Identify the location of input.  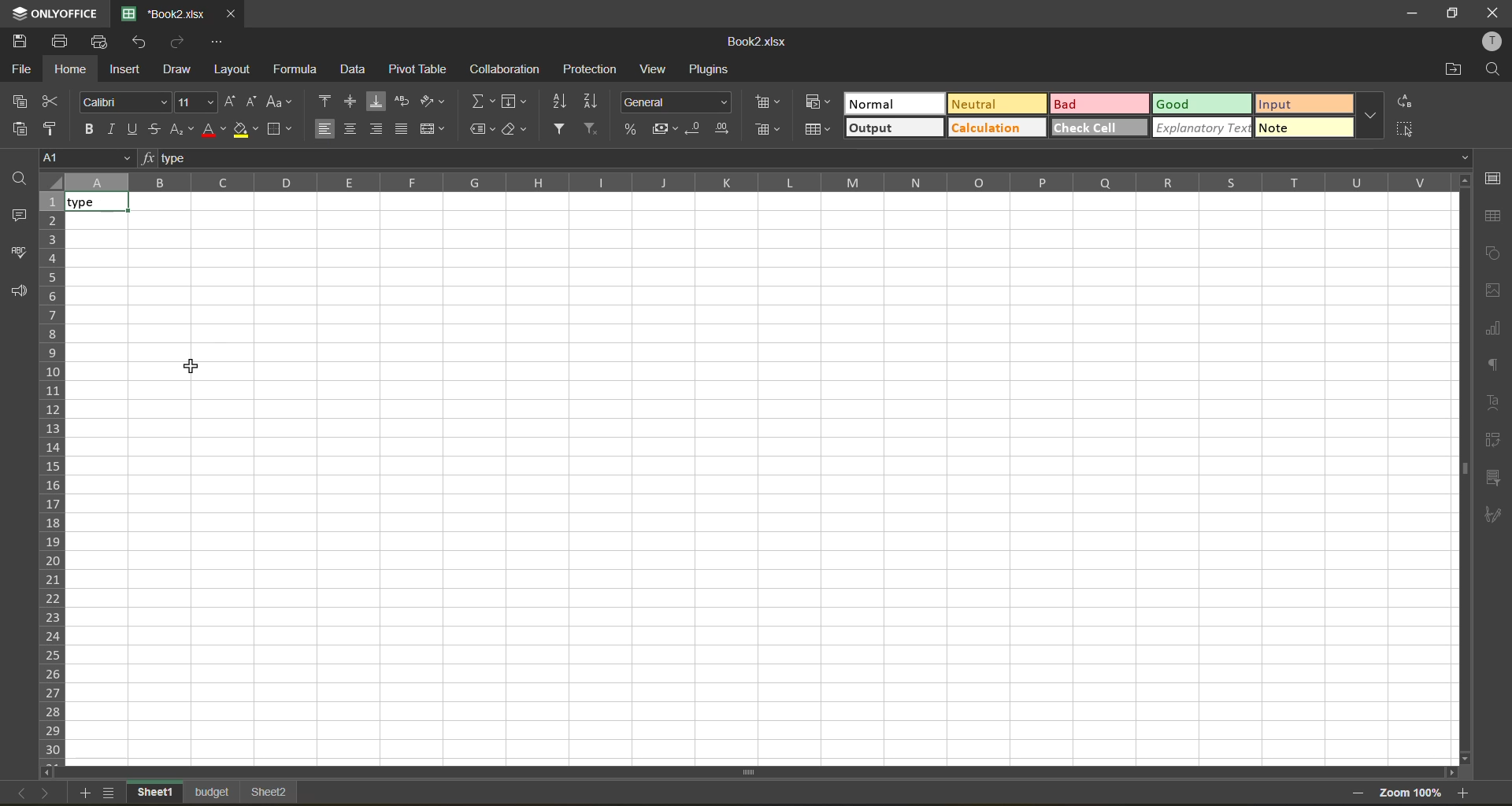
(1309, 105).